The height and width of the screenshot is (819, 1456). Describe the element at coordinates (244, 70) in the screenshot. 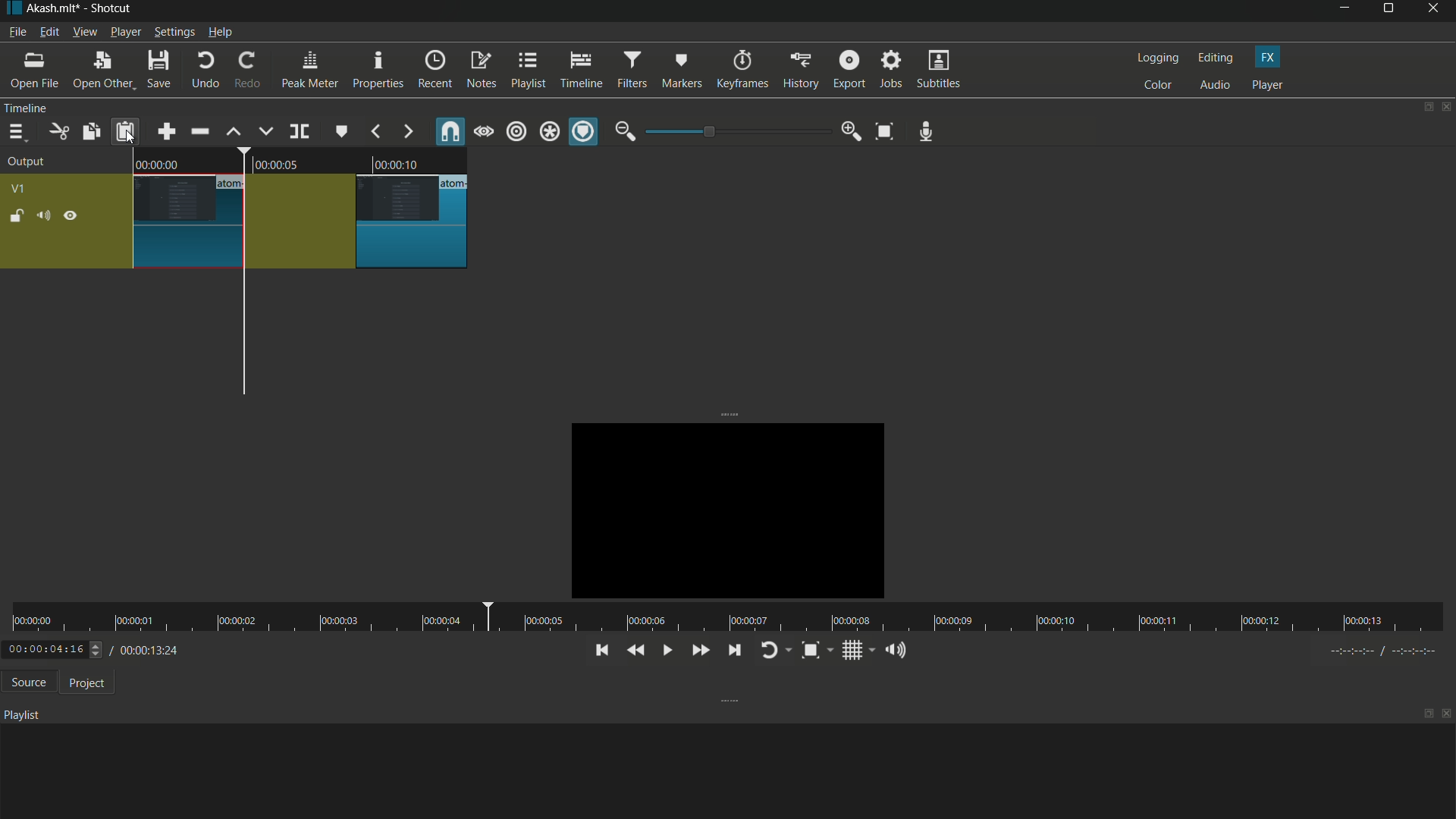

I see `redo` at that location.